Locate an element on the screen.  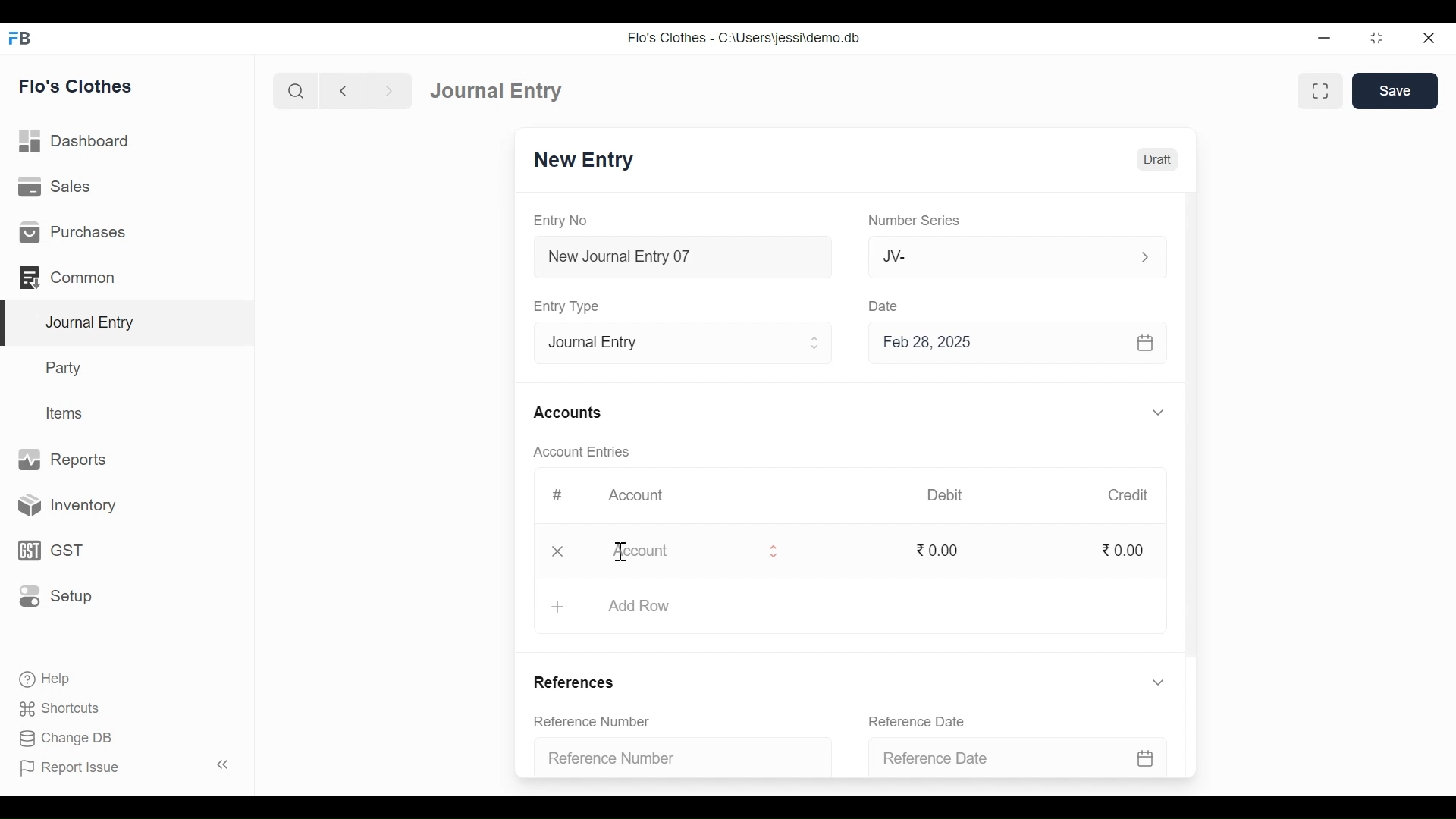
Toggle form and full width is located at coordinates (1320, 92).